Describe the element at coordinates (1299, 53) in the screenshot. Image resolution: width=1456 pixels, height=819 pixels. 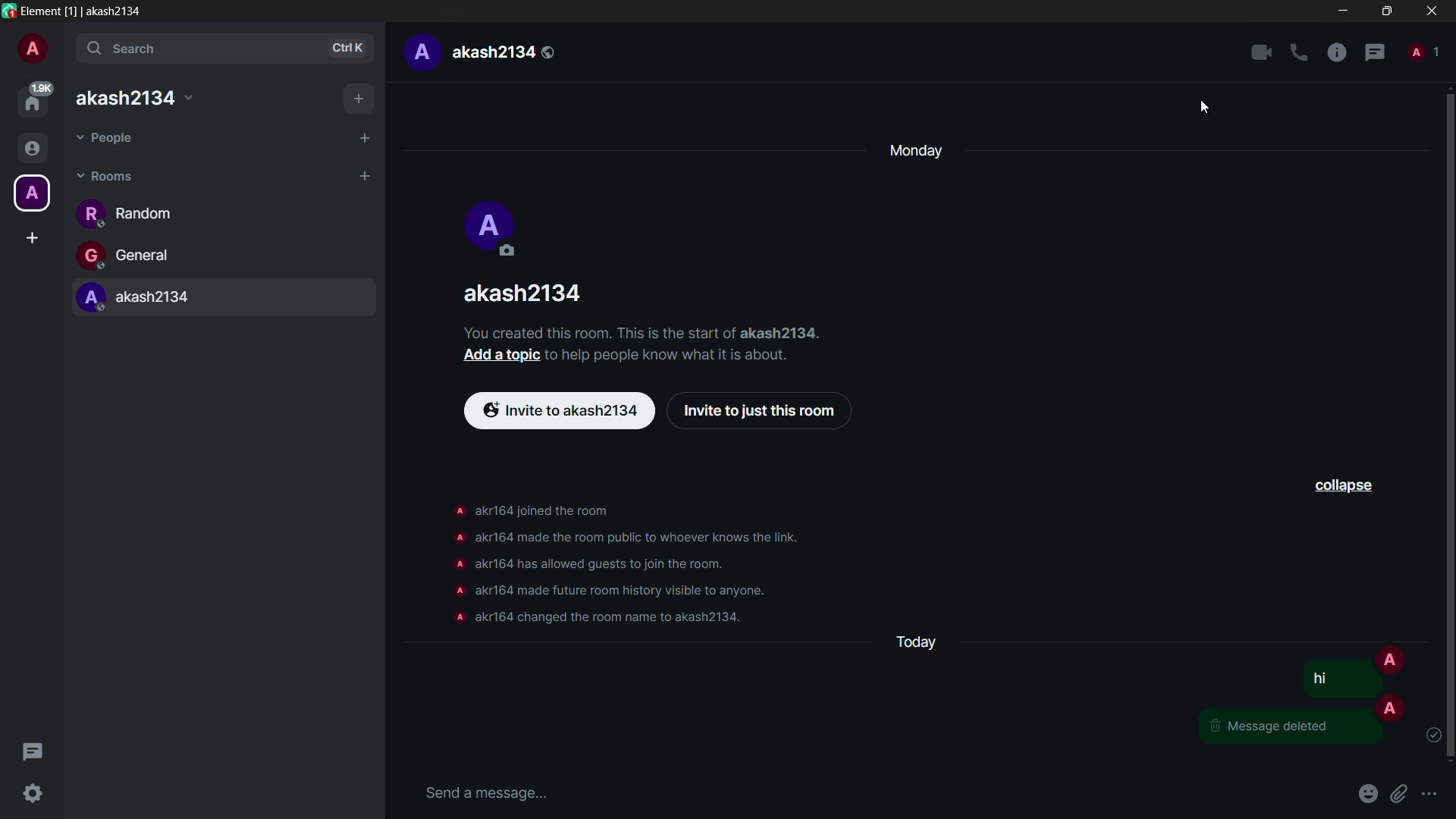
I see `add voice call` at that location.